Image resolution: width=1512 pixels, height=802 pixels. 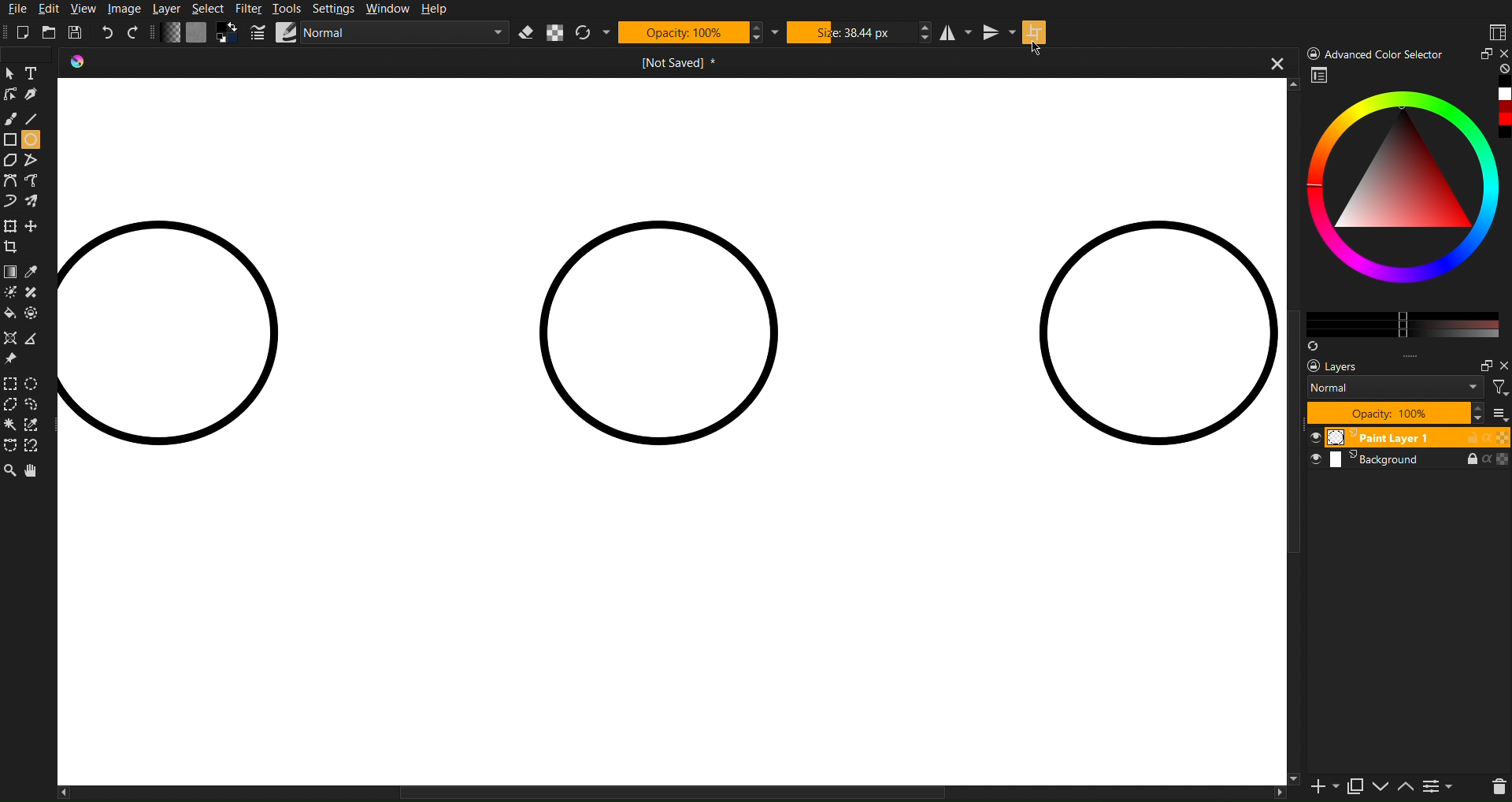 What do you see at coordinates (1408, 210) in the screenshot?
I see `Advanced Color Selector` at bounding box center [1408, 210].